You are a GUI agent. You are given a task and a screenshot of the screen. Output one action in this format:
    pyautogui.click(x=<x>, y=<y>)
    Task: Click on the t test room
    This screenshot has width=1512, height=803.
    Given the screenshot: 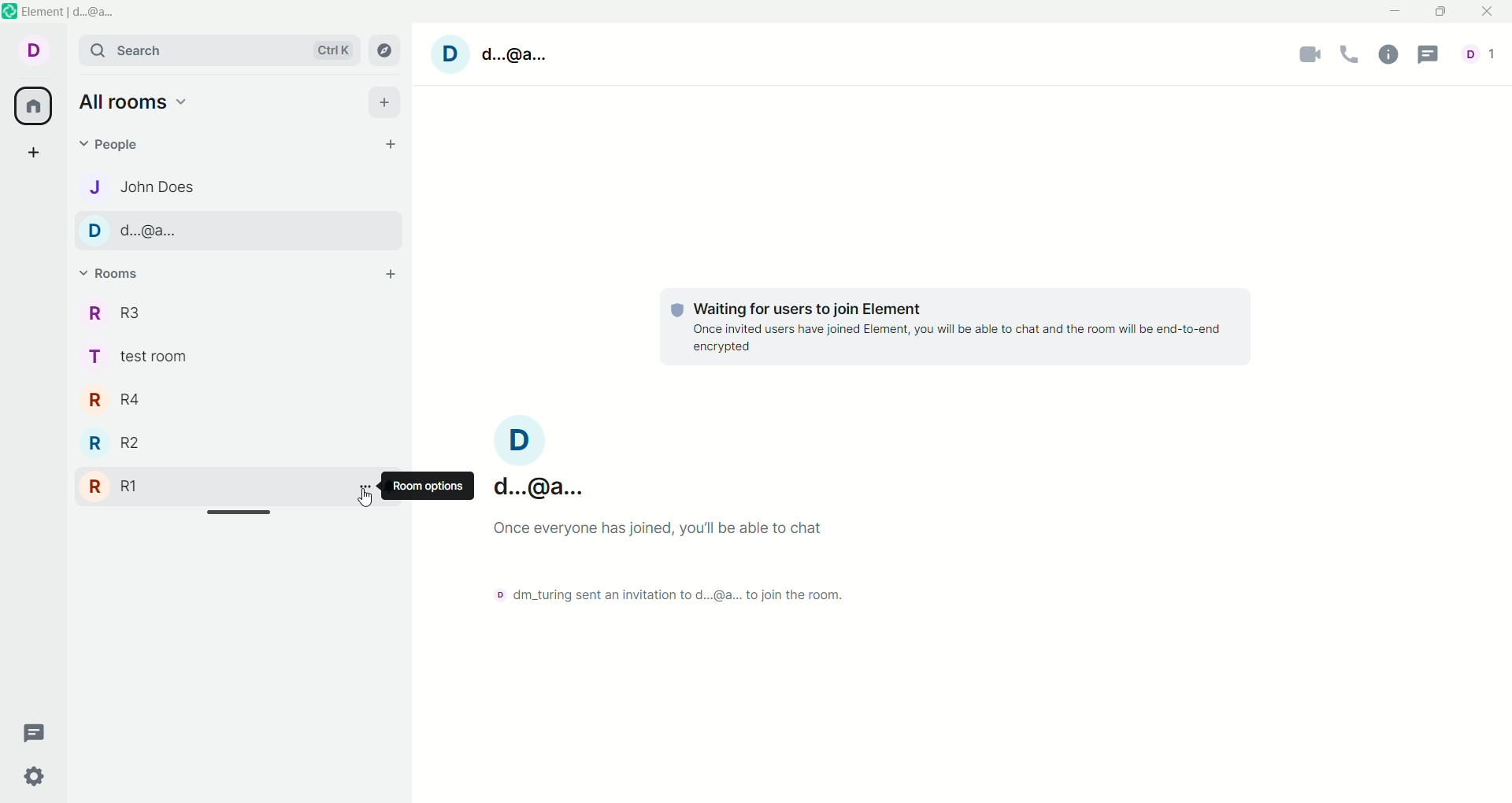 What is the action you would take?
    pyautogui.click(x=147, y=361)
    